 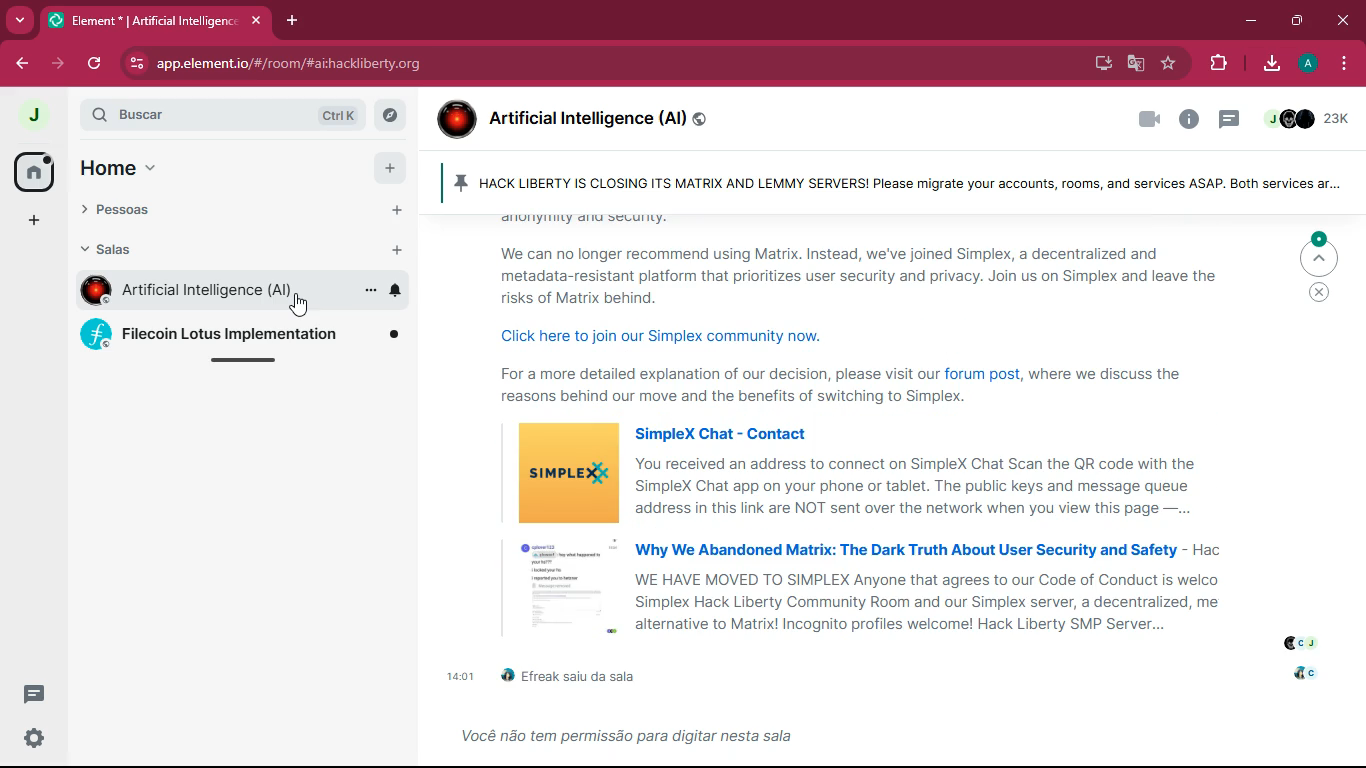 What do you see at coordinates (722, 431) in the screenshot?
I see `simplex chat - contact` at bounding box center [722, 431].